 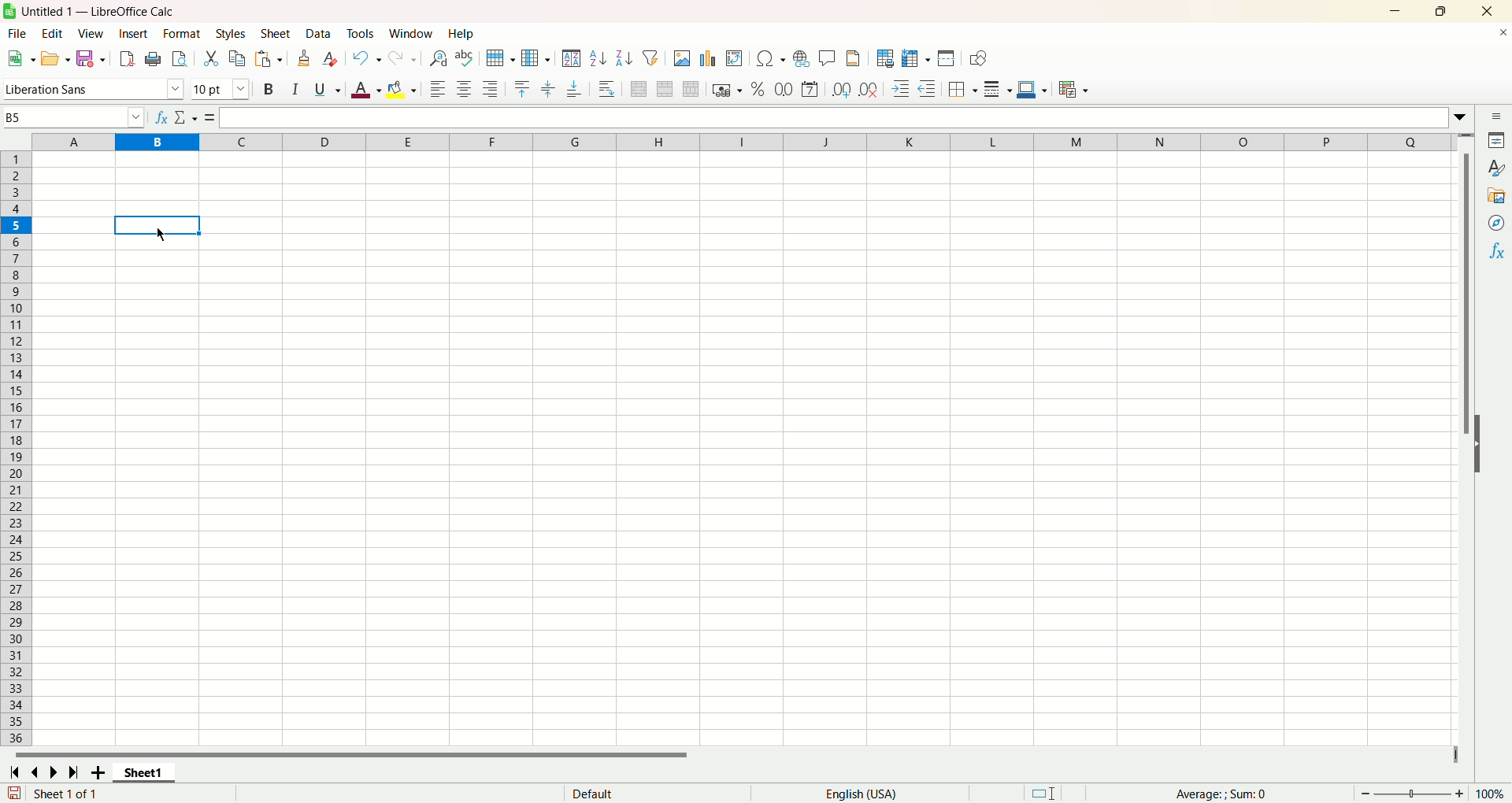 I want to click on close, so click(x=1488, y=11).